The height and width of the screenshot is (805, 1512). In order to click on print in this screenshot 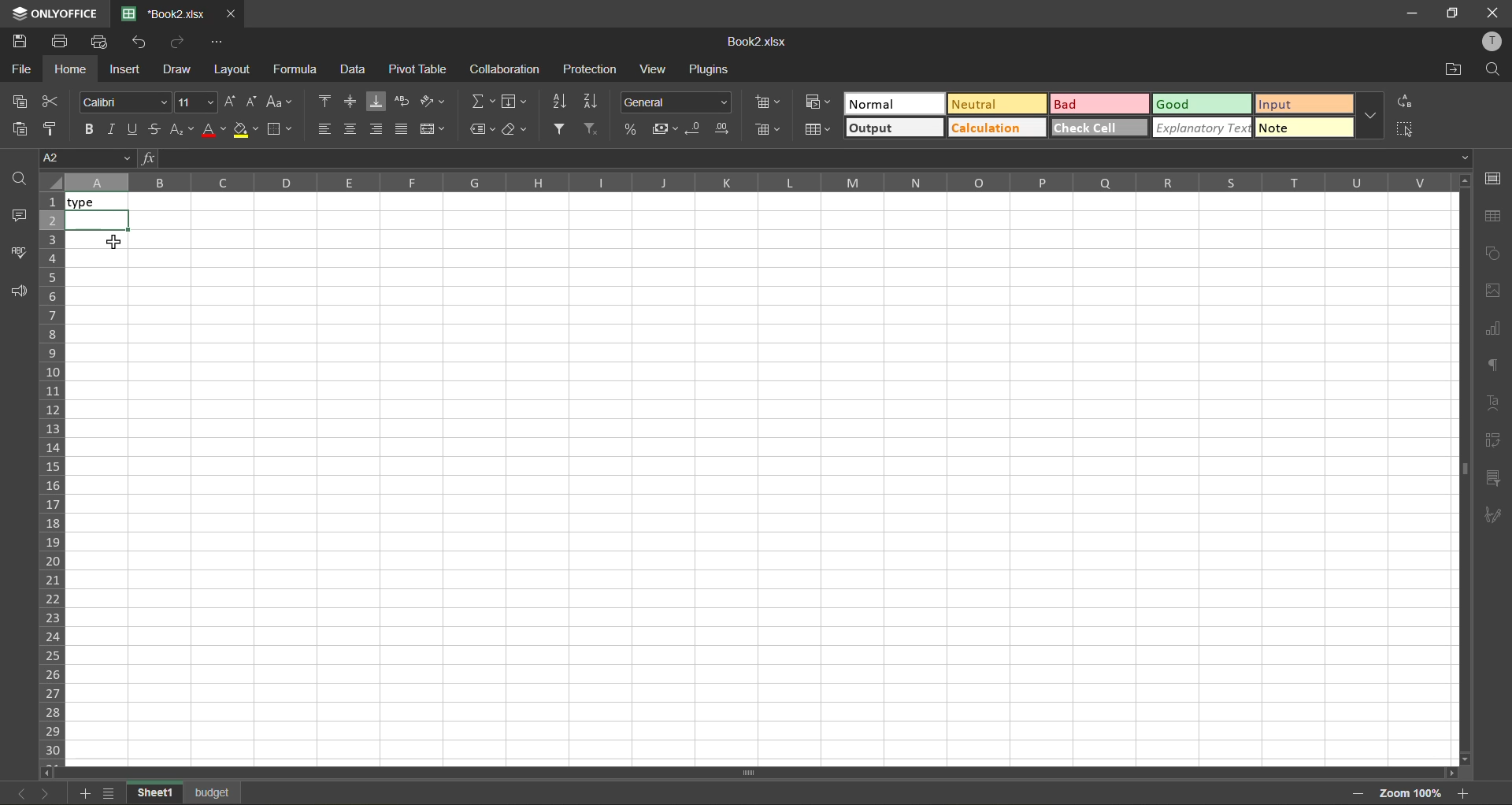, I will do `click(57, 43)`.